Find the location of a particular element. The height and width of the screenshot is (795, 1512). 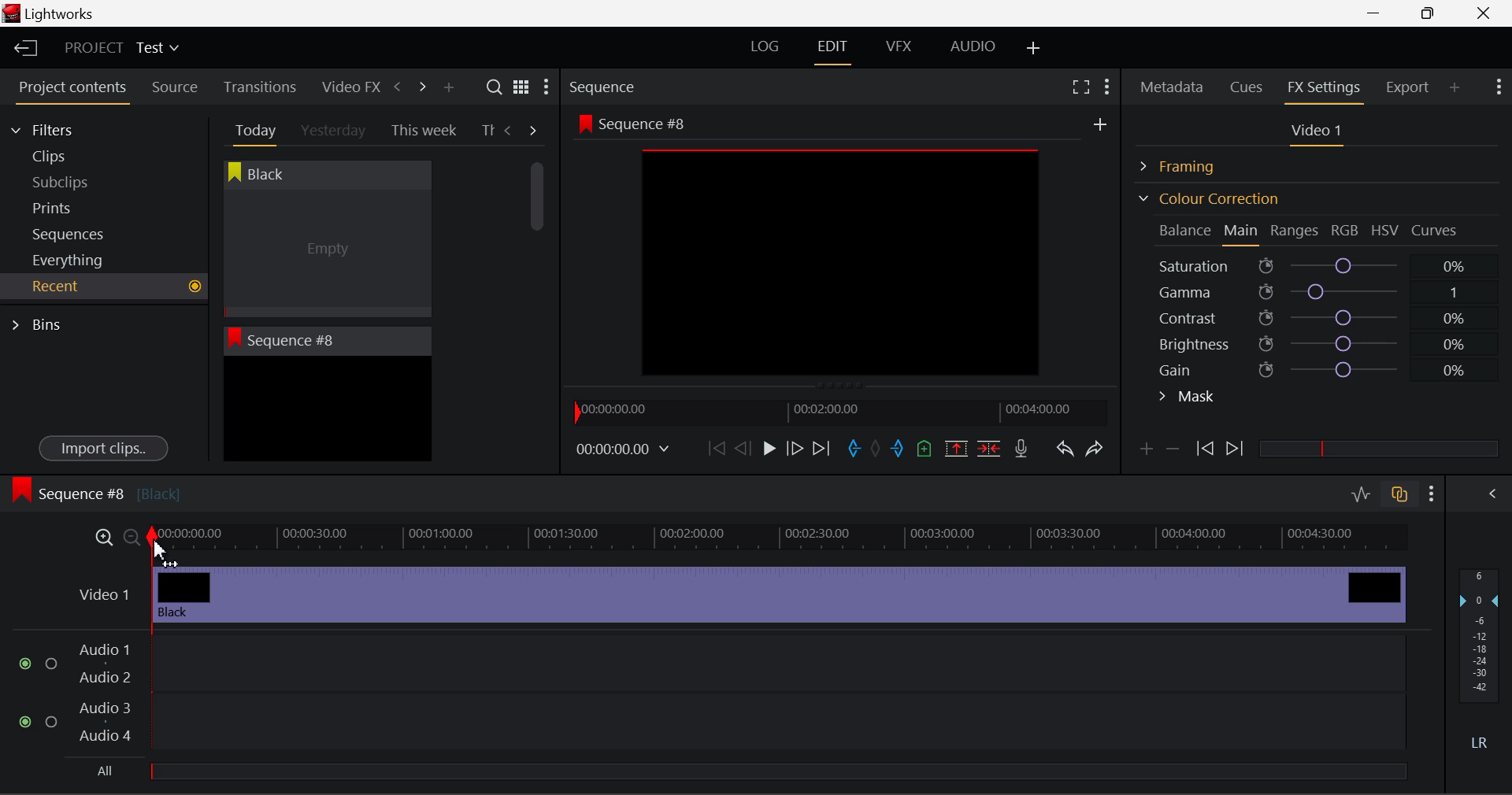

To Start is located at coordinates (715, 448).